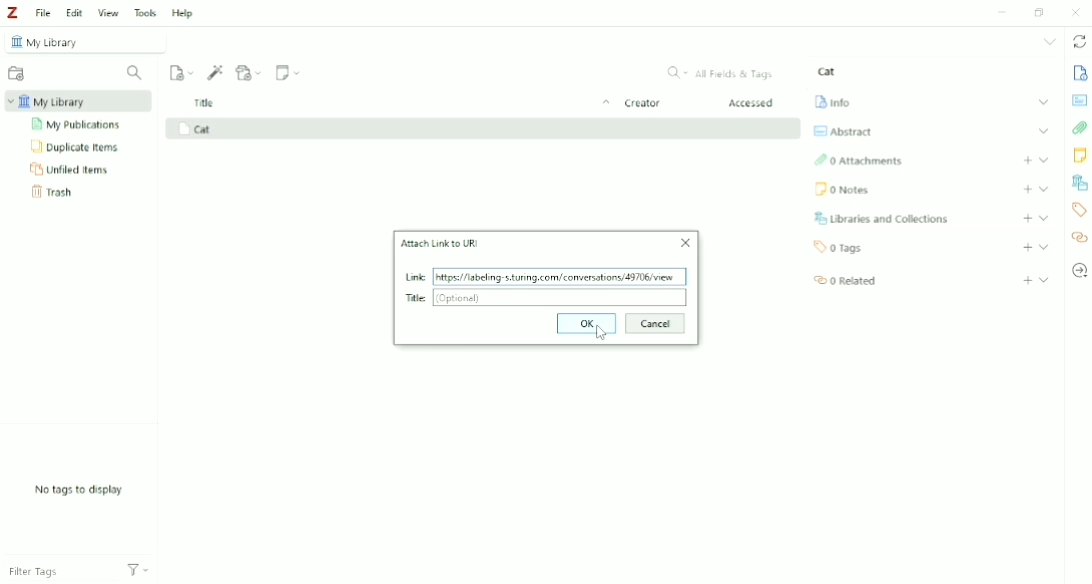 The height and width of the screenshot is (584, 1092). Describe the element at coordinates (404, 104) in the screenshot. I see `Title` at that location.